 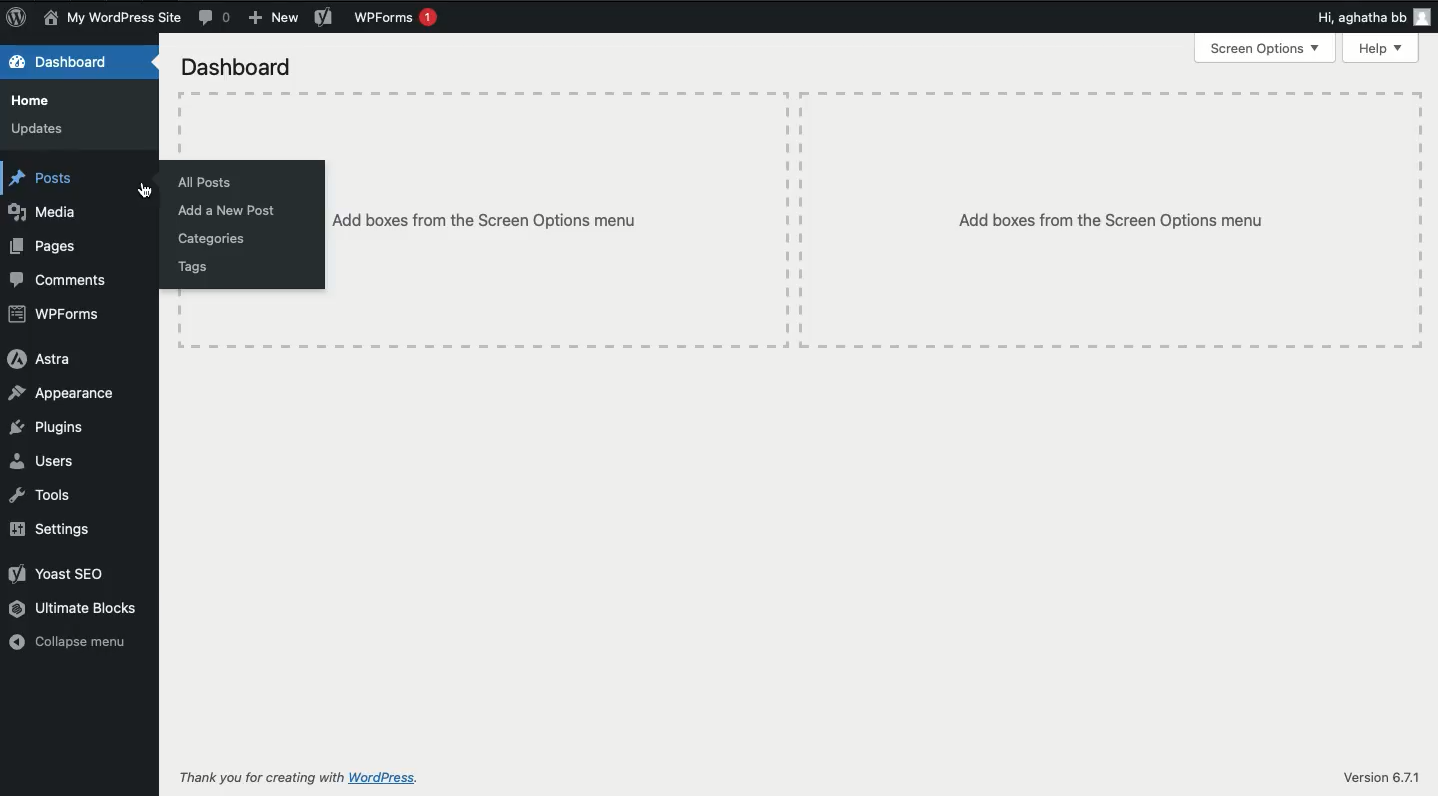 I want to click on WPForms, so click(x=58, y=315).